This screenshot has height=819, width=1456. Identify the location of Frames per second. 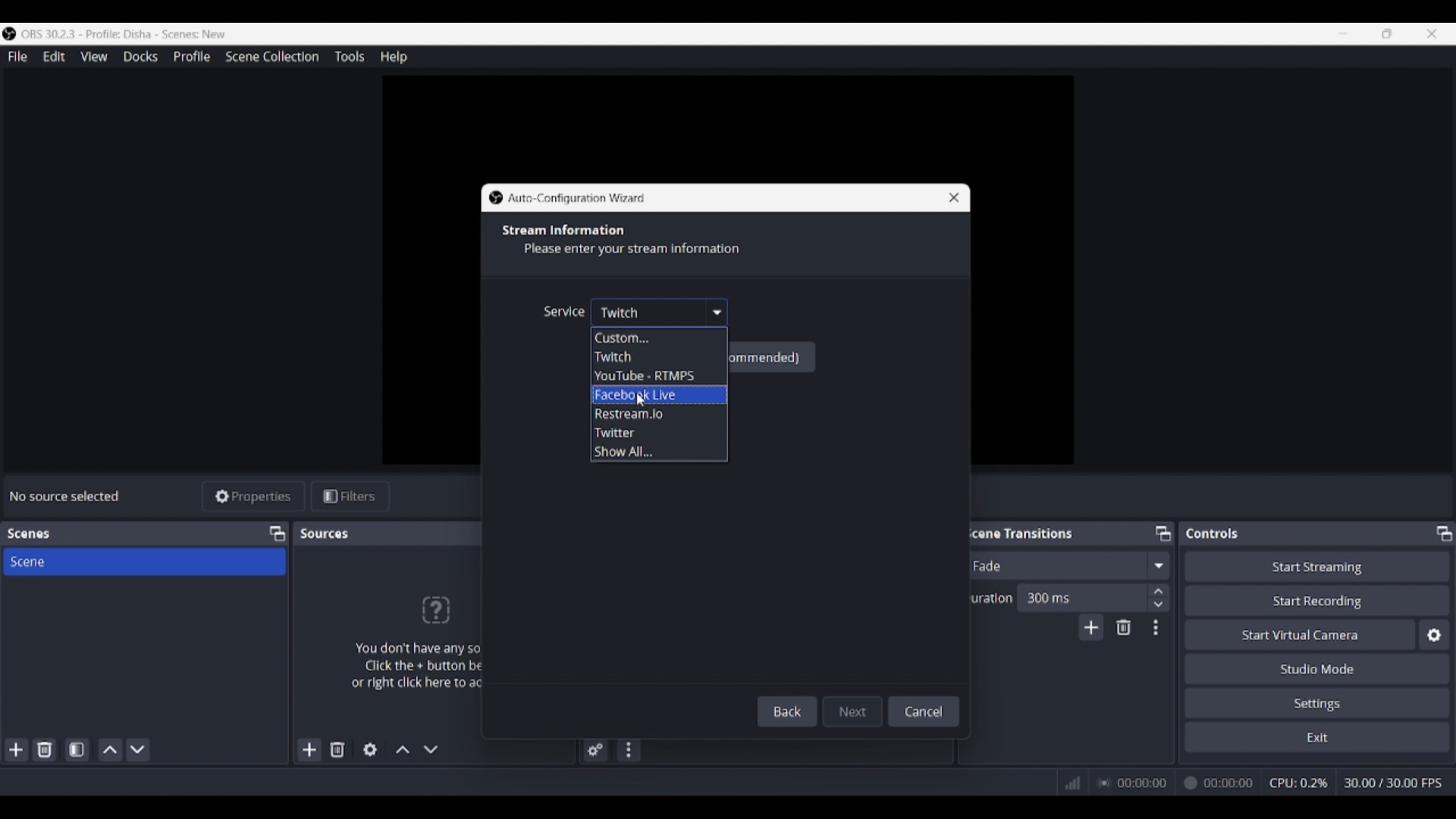
(1393, 783).